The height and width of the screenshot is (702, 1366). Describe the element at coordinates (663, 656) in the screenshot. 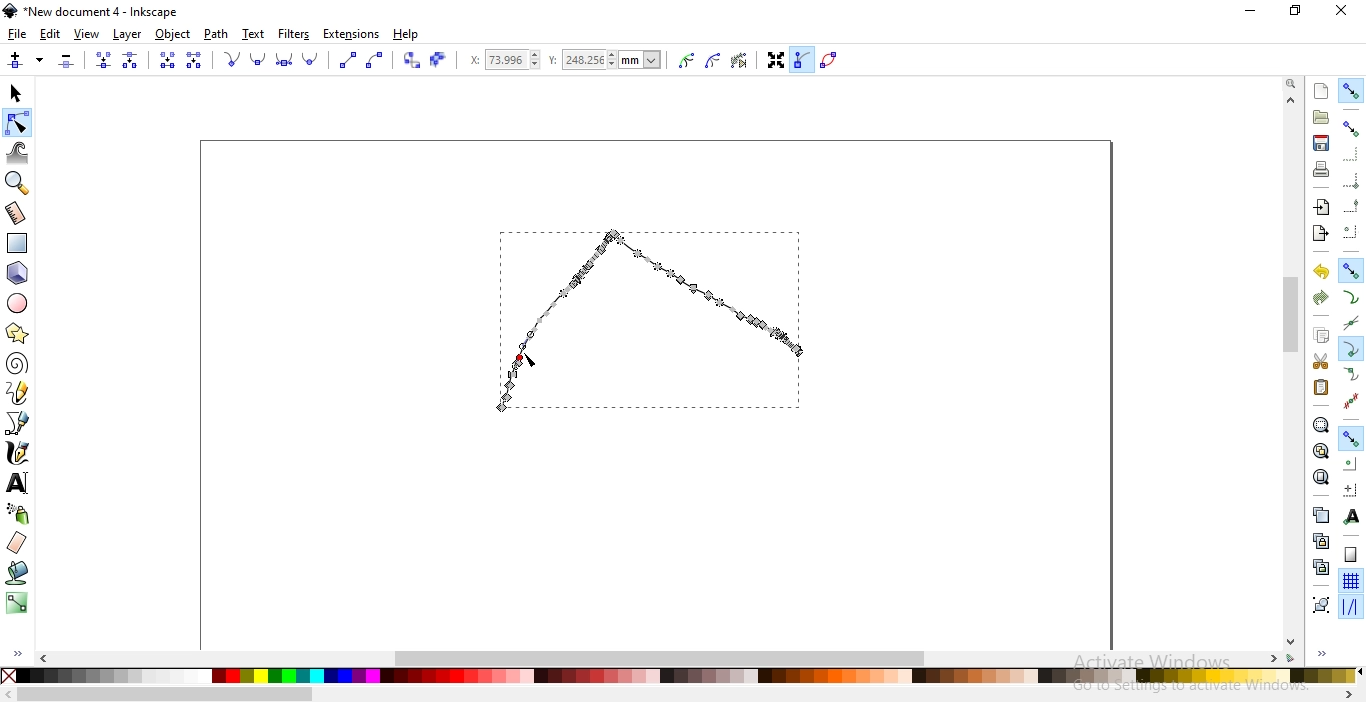

I see `scrollbar` at that location.